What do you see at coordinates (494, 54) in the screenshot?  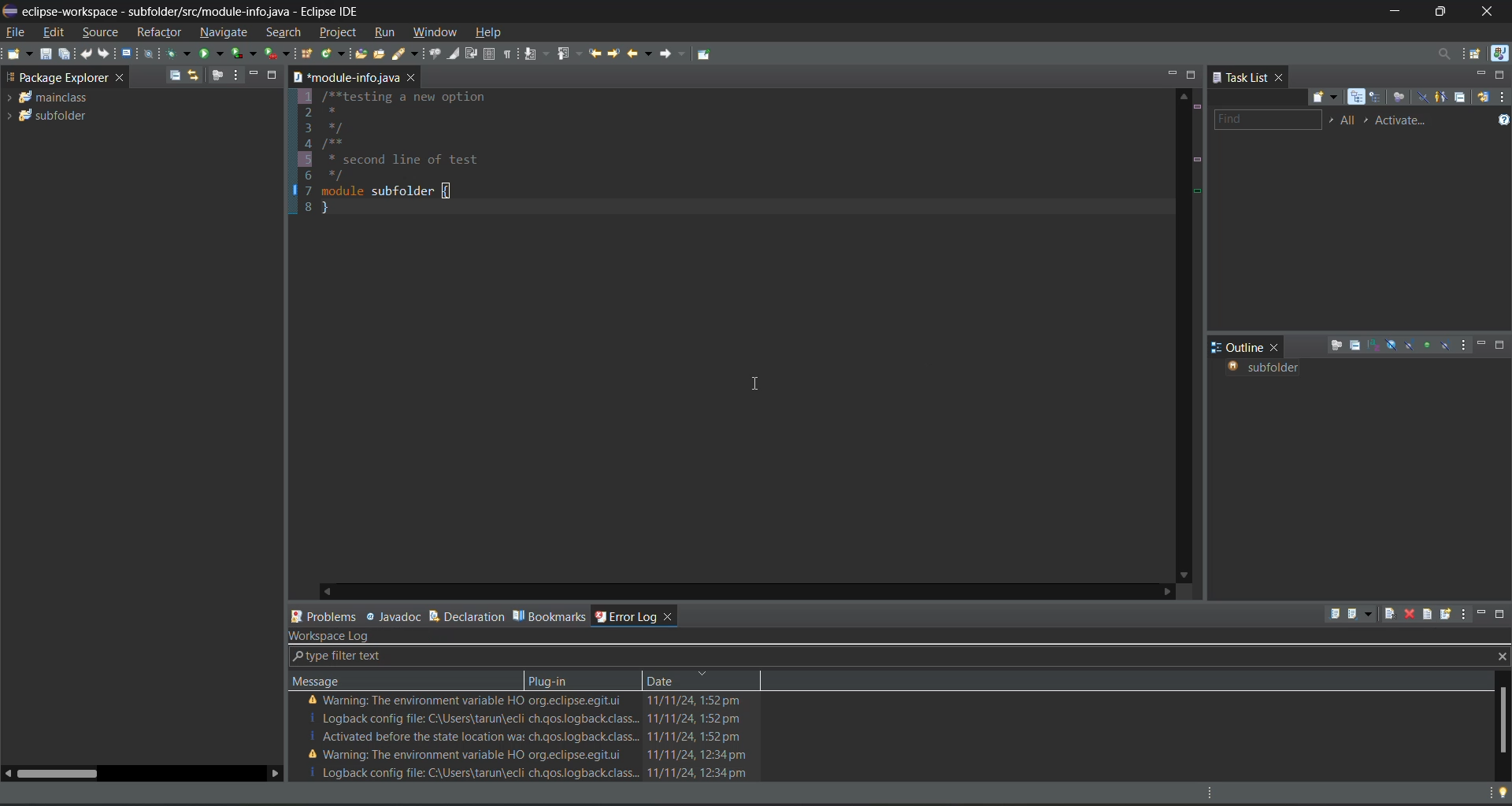 I see `toggle block selection` at bounding box center [494, 54].